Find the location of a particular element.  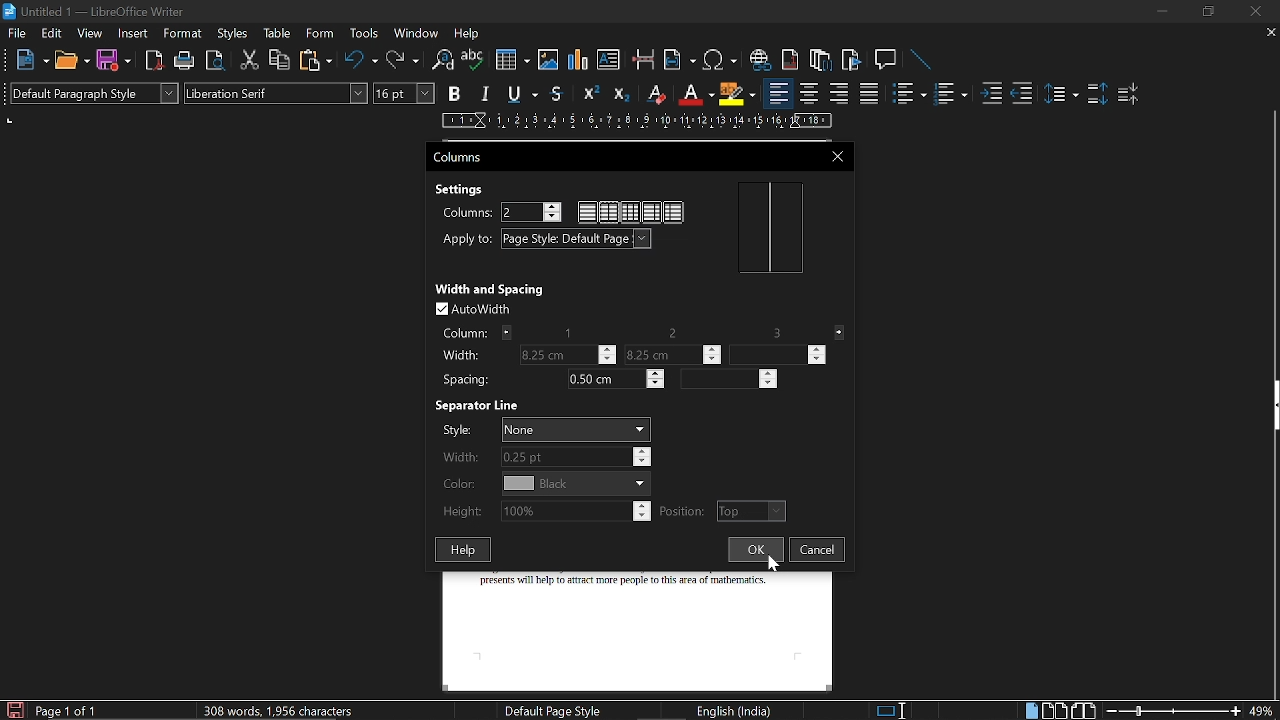

Insert field is located at coordinates (679, 61).